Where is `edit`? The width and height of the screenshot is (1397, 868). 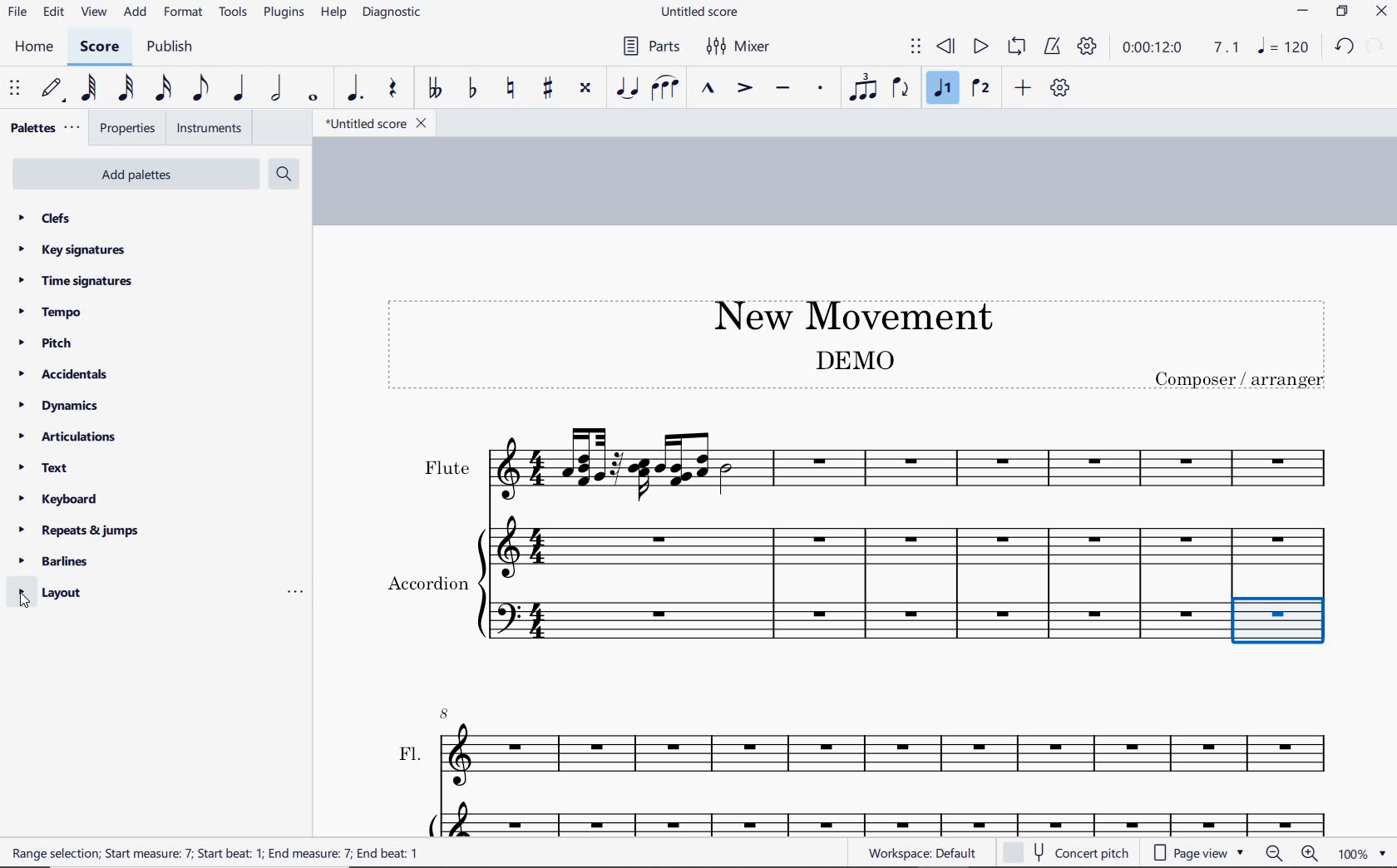 edit is located at coordinates (52, 12).